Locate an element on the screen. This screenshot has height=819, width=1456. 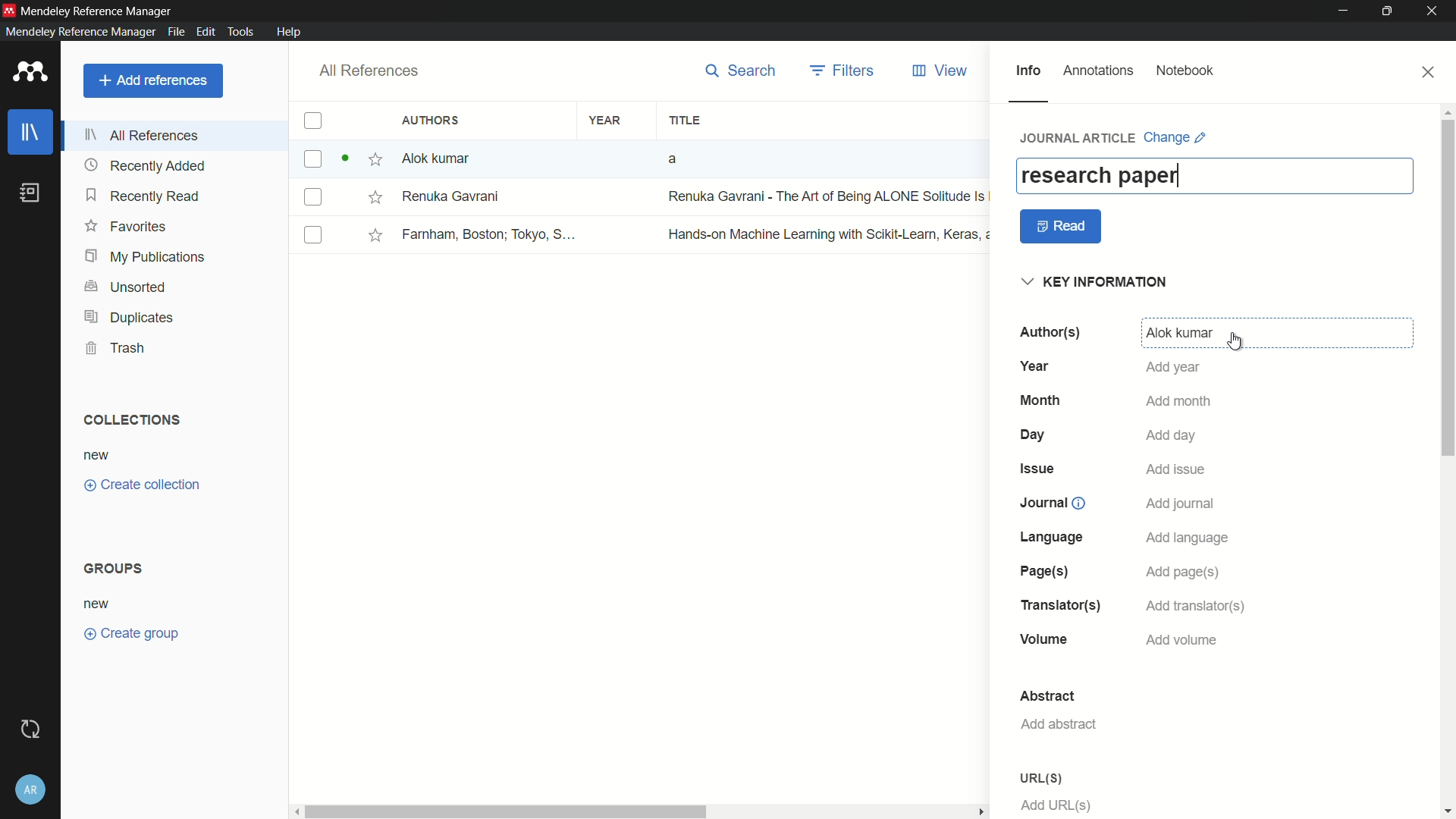
my publications is located at coordinates (146, 258).